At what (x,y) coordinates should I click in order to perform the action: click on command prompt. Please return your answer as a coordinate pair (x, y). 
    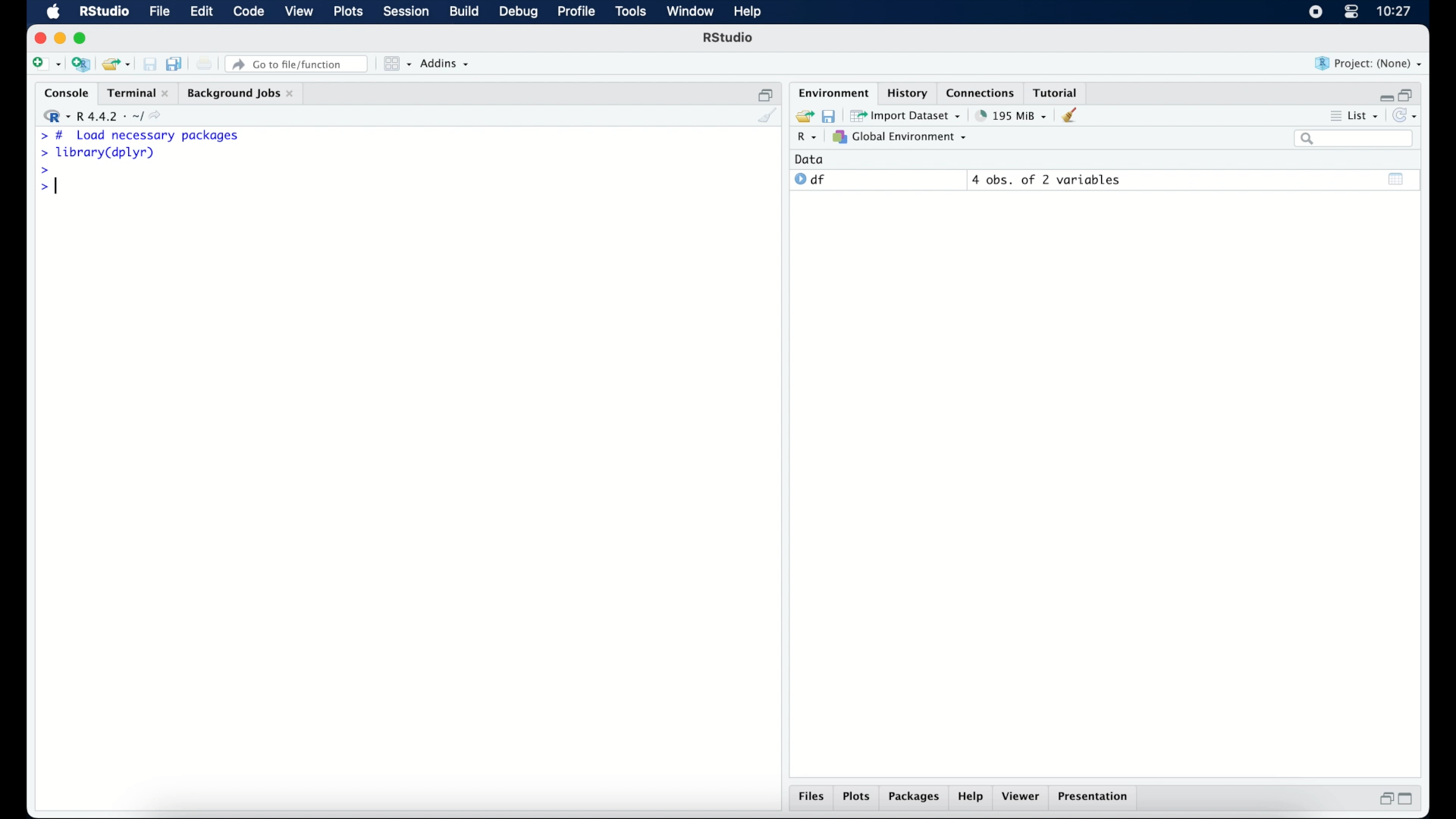
    Looking at the image, I should click on (42, 171).